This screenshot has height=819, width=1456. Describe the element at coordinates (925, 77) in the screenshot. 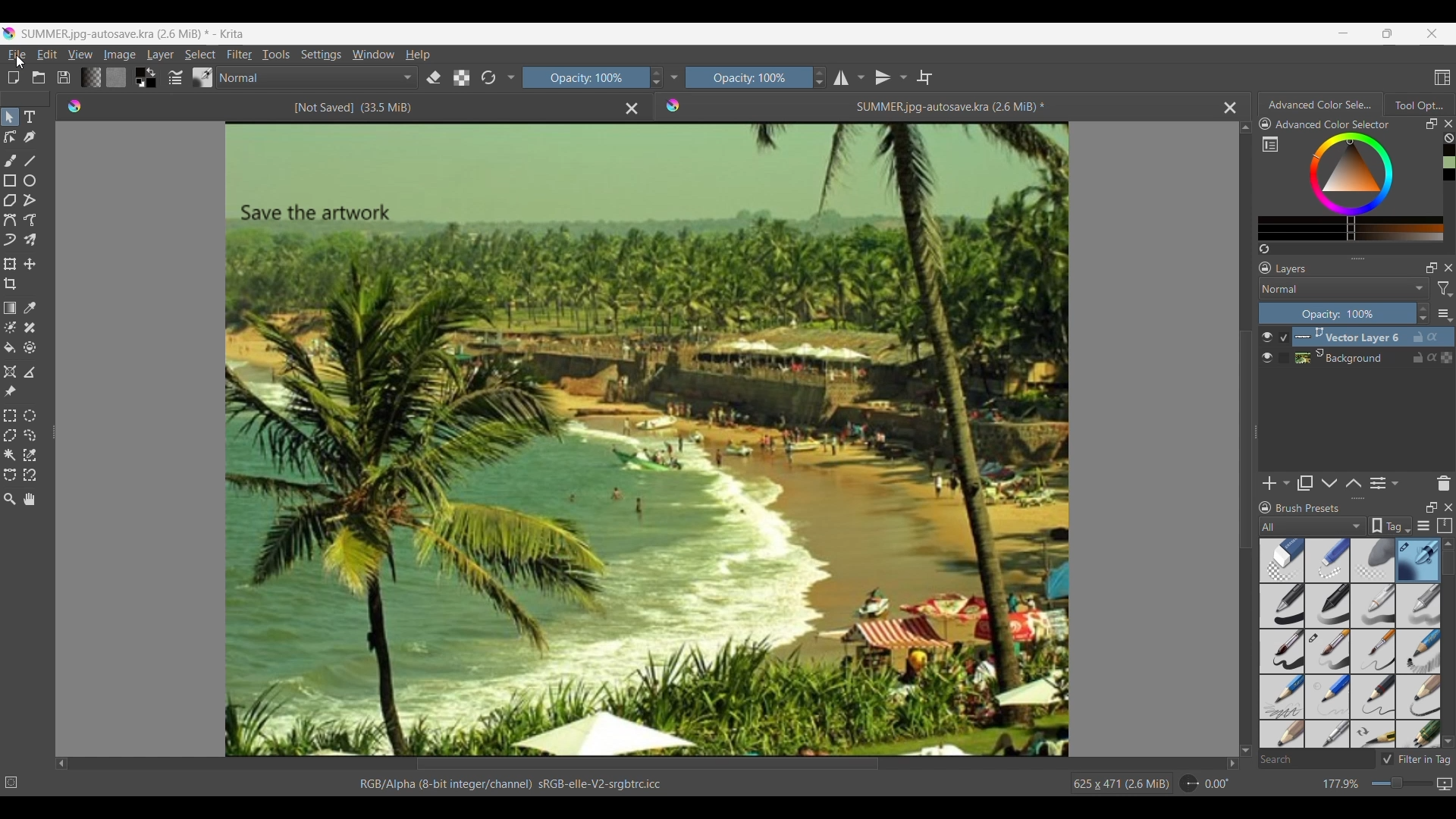

I see `Wrap around mode` at that location.